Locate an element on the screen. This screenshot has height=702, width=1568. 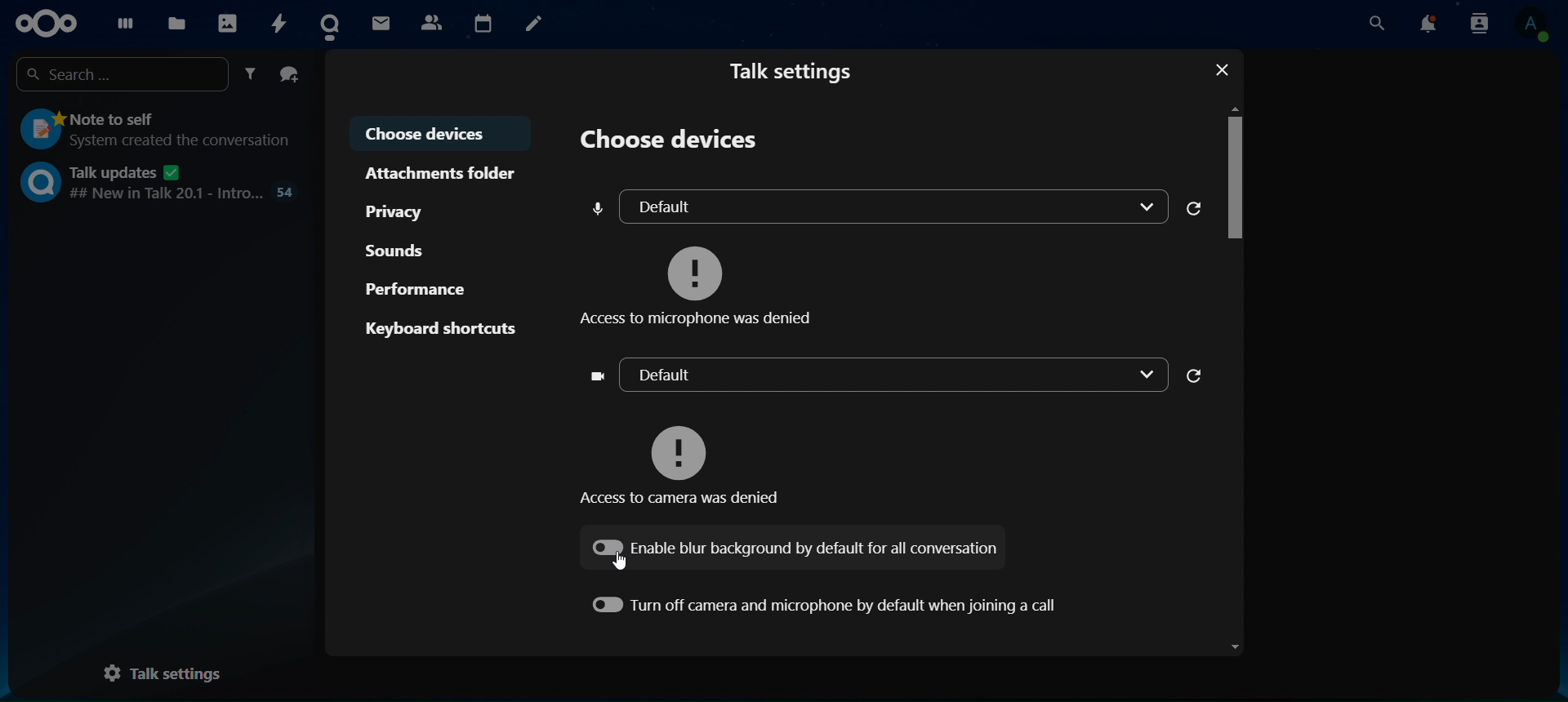
dashboard is located at coordinates (120, 23).